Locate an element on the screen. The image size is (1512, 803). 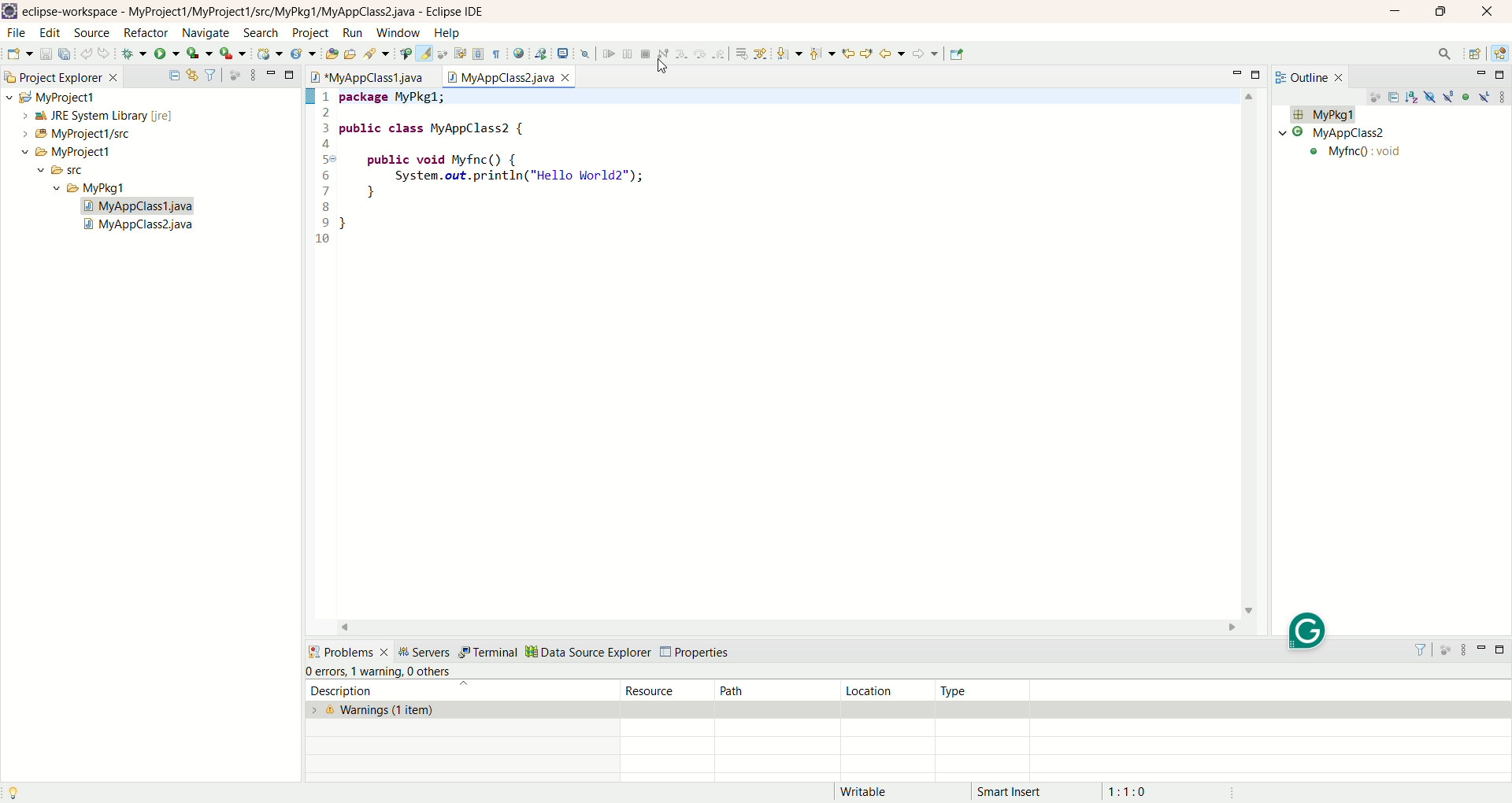
hide non-public member is located at coordinates (1467, 96).